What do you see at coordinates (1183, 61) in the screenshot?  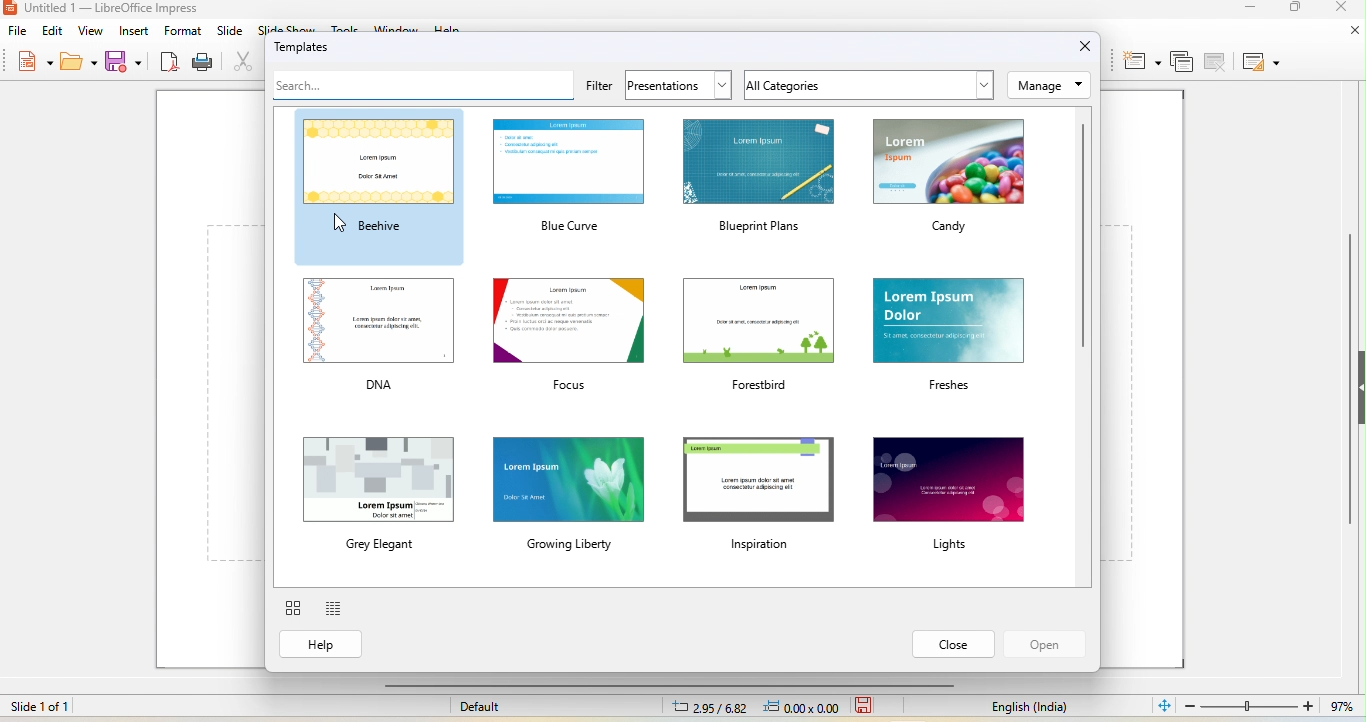 I see `duplicate slide` at bounding box center [1183, 61].